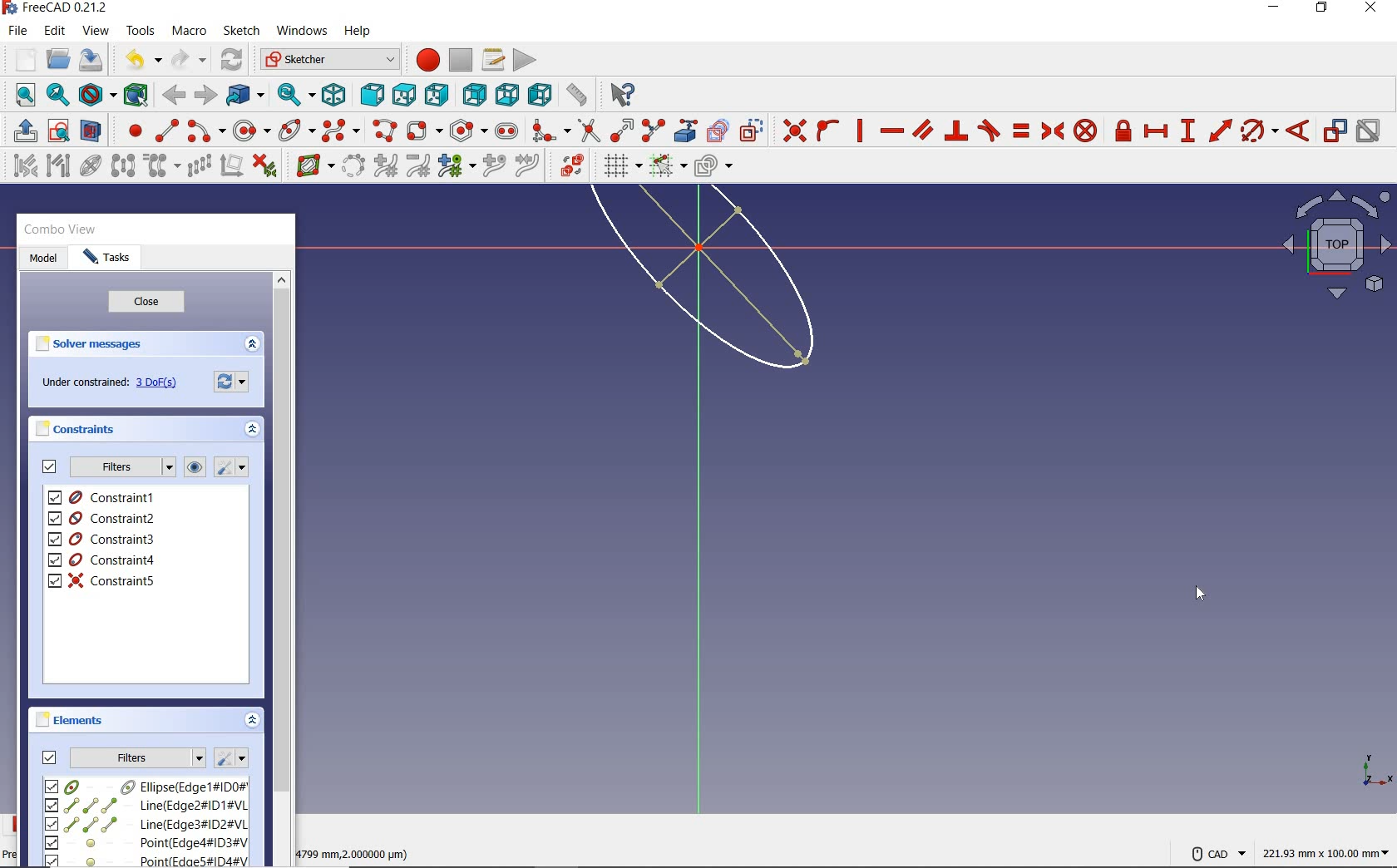  What do you see at coordinates (234, 61) in the screenshot?
I see `refresh` at bounding box center [234, 61].